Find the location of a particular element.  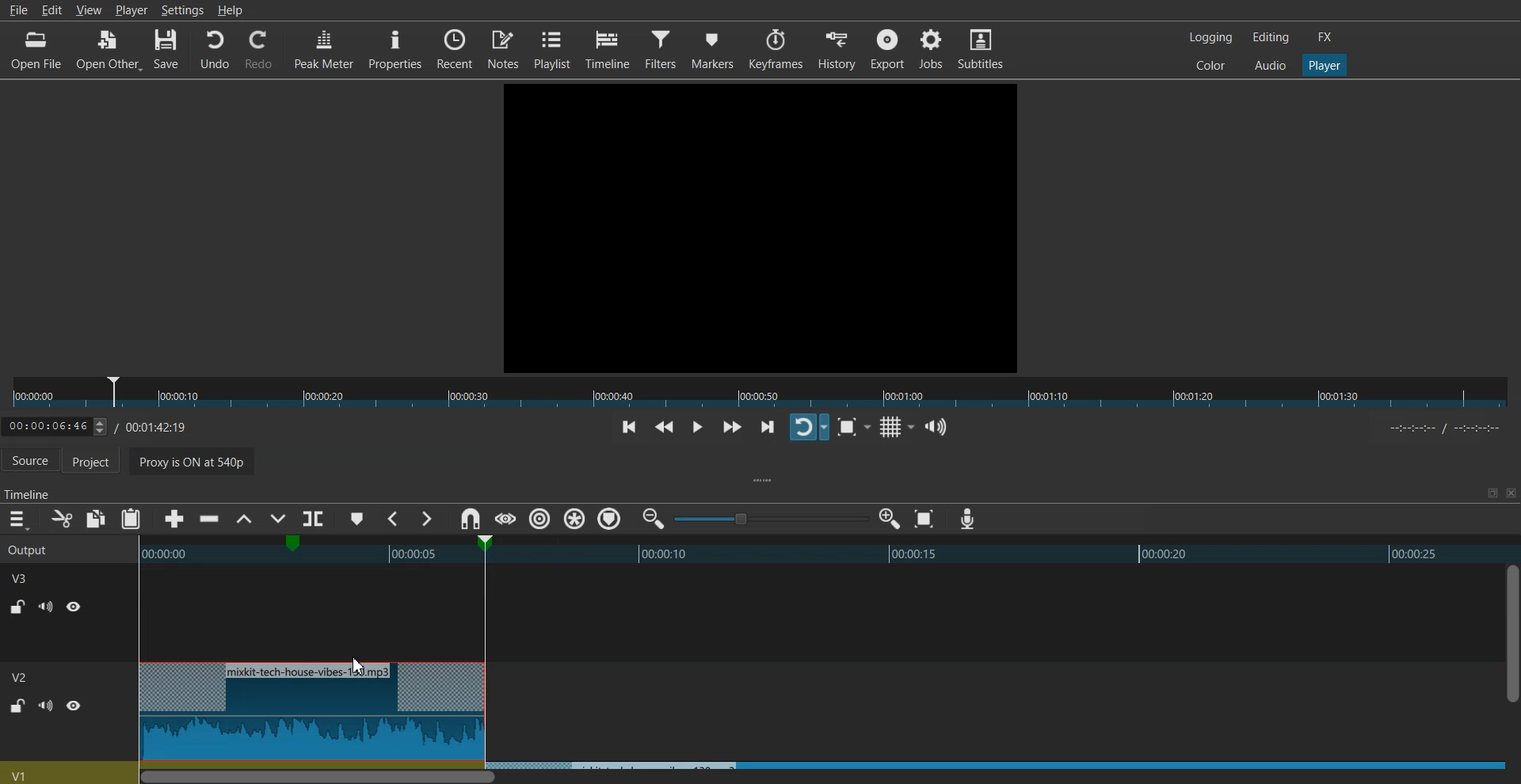

FX is located at coordinates (1325, 37).